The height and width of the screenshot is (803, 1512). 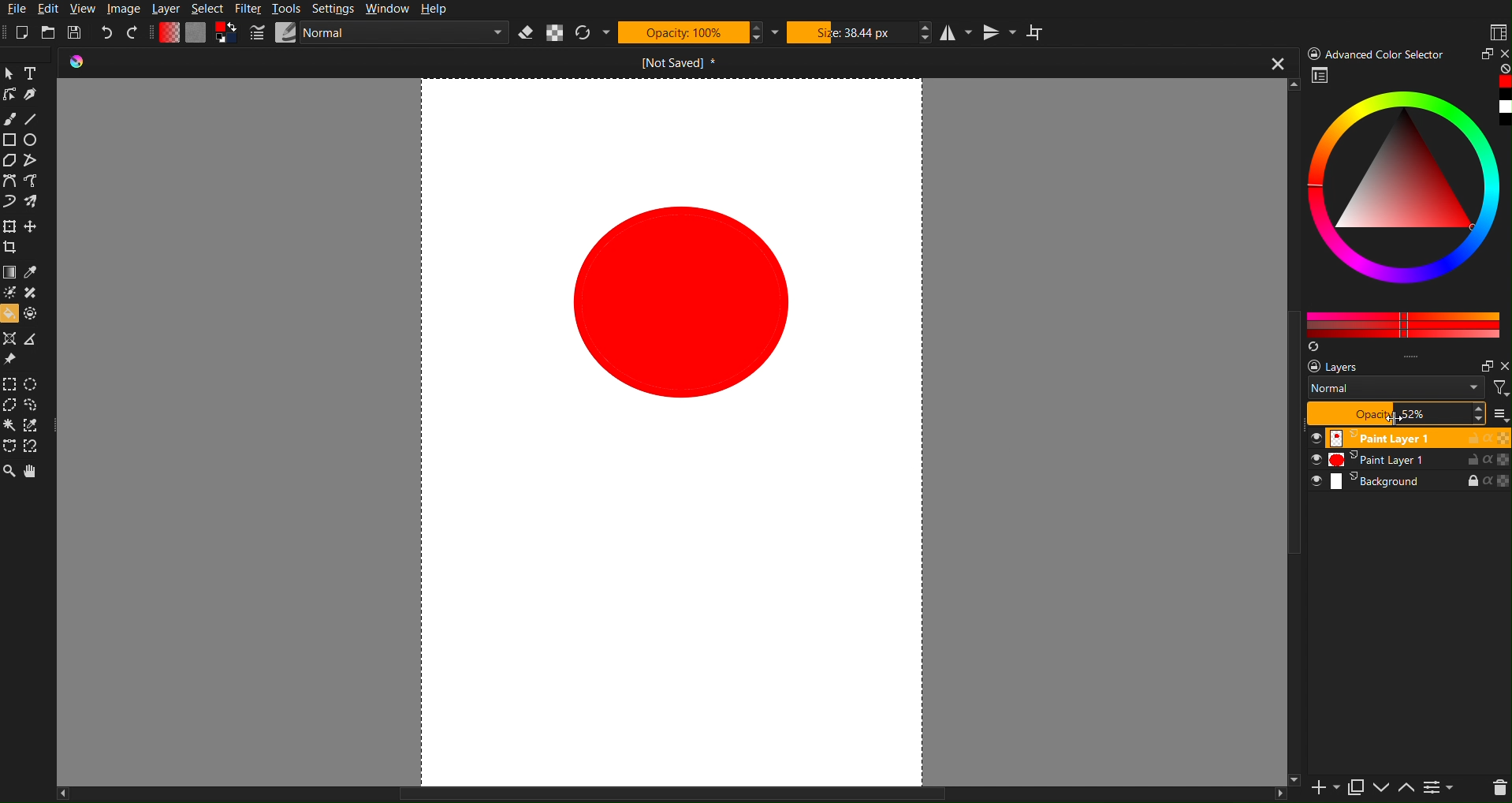 What do you see at coordinates (34, 119) in the screenshot?
I see `Line` at bounding box center [34, 119].